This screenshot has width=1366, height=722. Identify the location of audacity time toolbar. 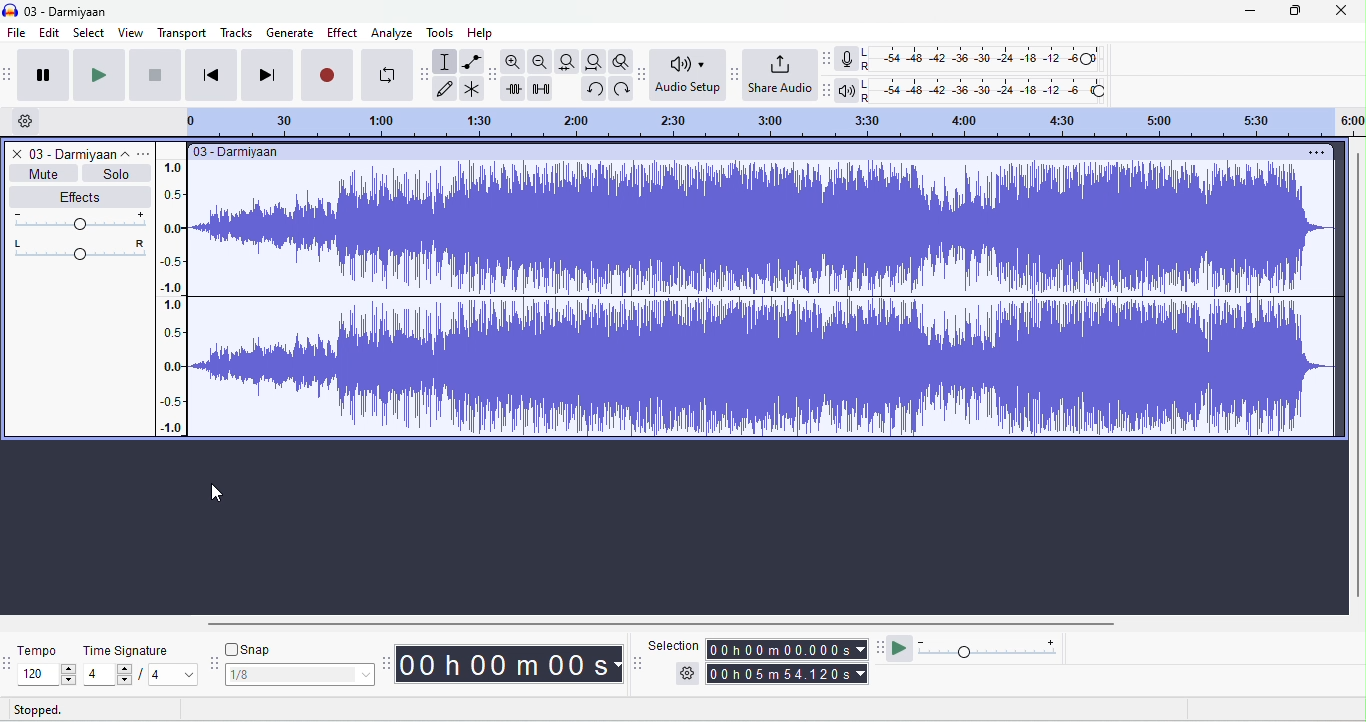
(391, 660).